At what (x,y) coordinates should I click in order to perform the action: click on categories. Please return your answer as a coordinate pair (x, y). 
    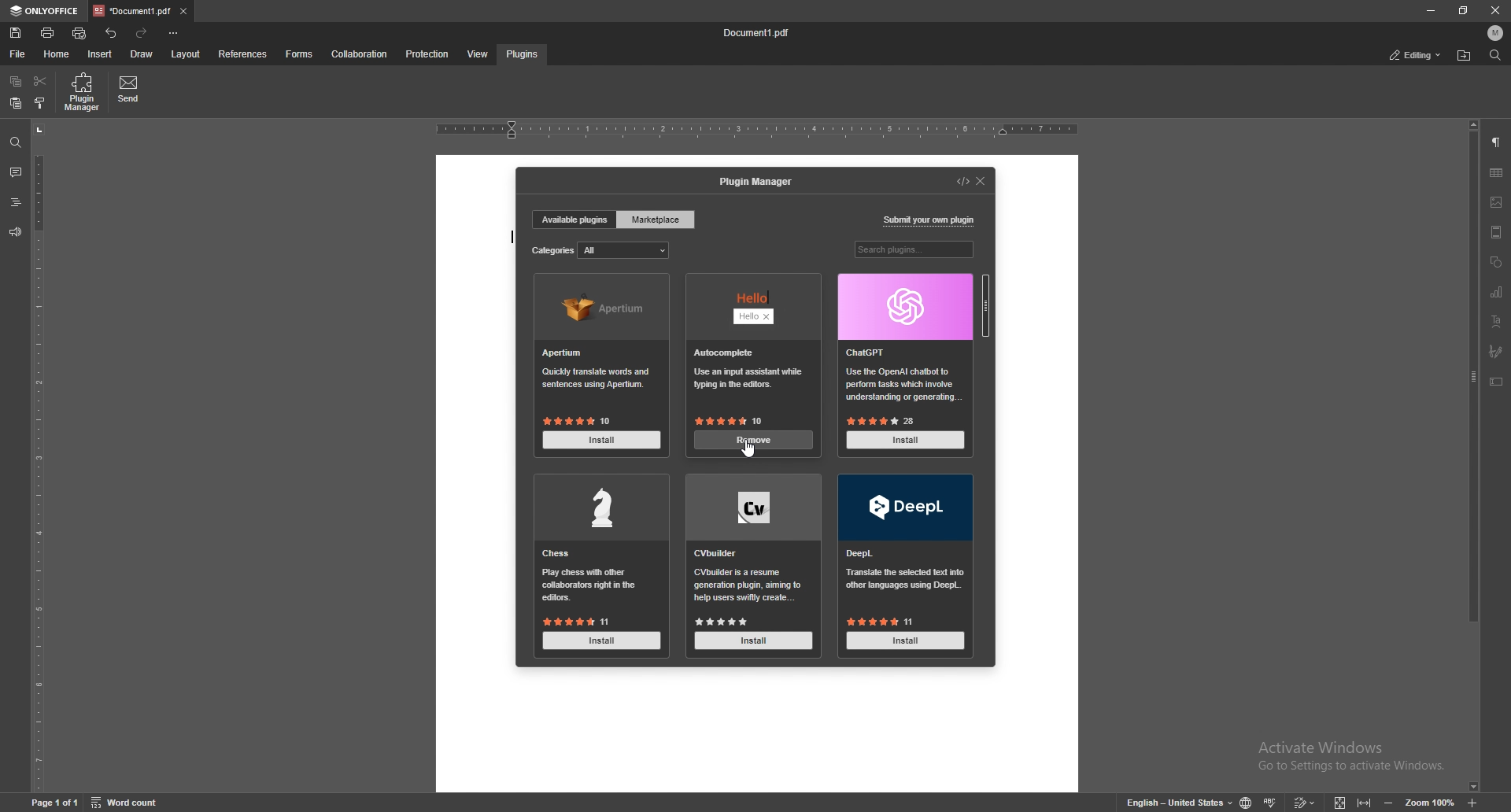
    Looking at the image, I should click on (599, 250).